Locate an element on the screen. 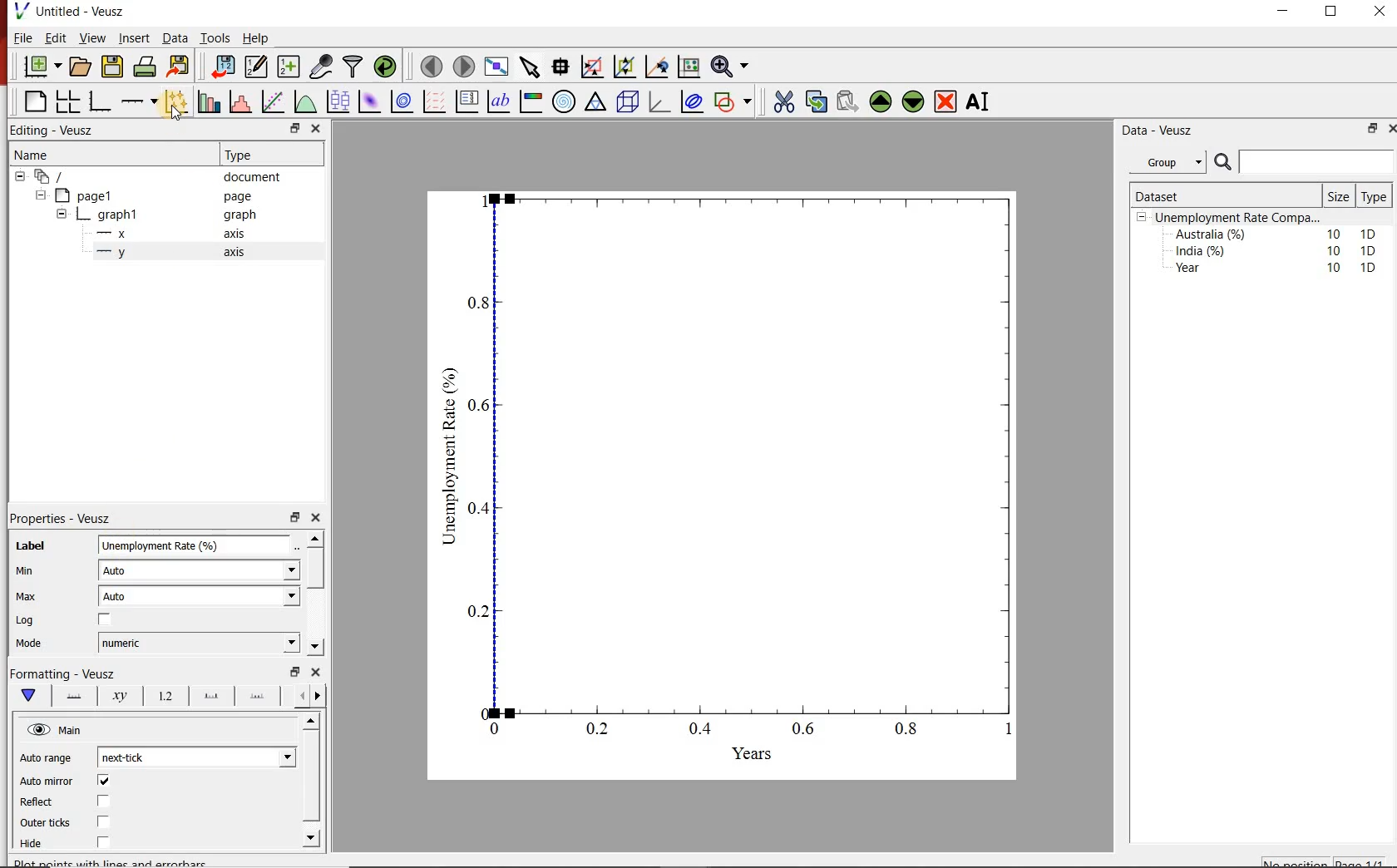  cursor is located at coordinates (180, 115).